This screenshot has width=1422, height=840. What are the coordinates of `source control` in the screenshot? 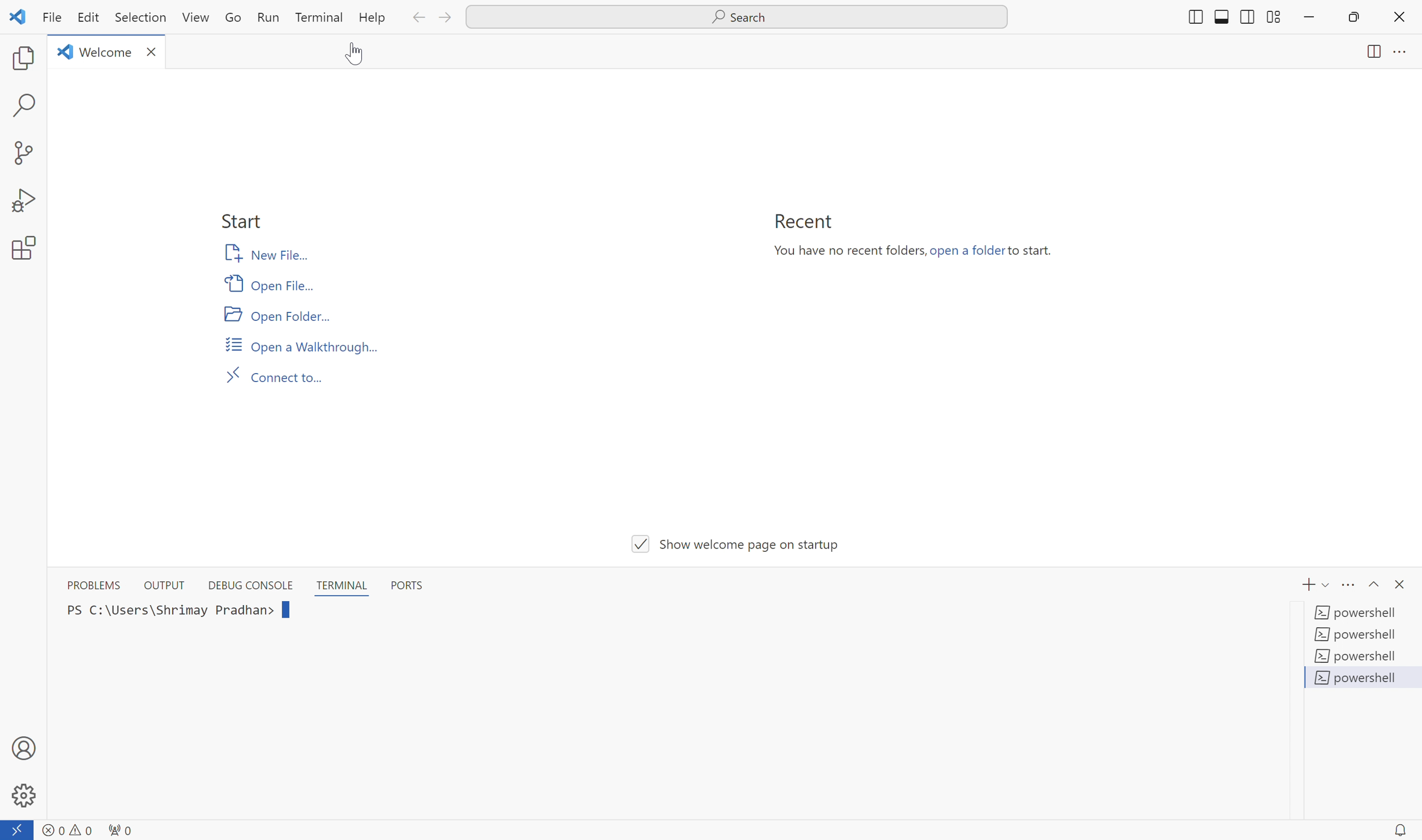 It's located at (22, 152).